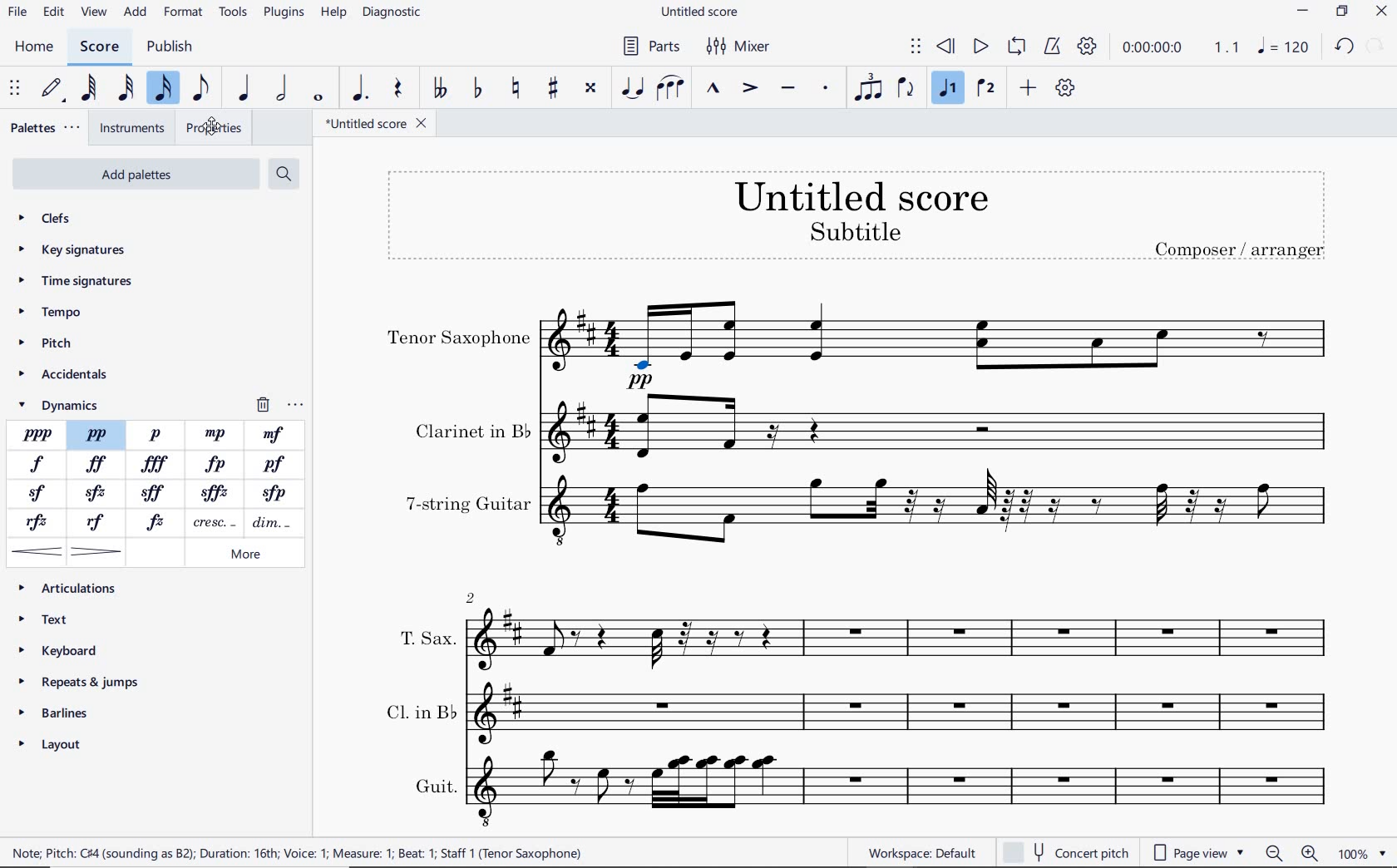  I want to click on KEYBOARD, so click(58, 650).